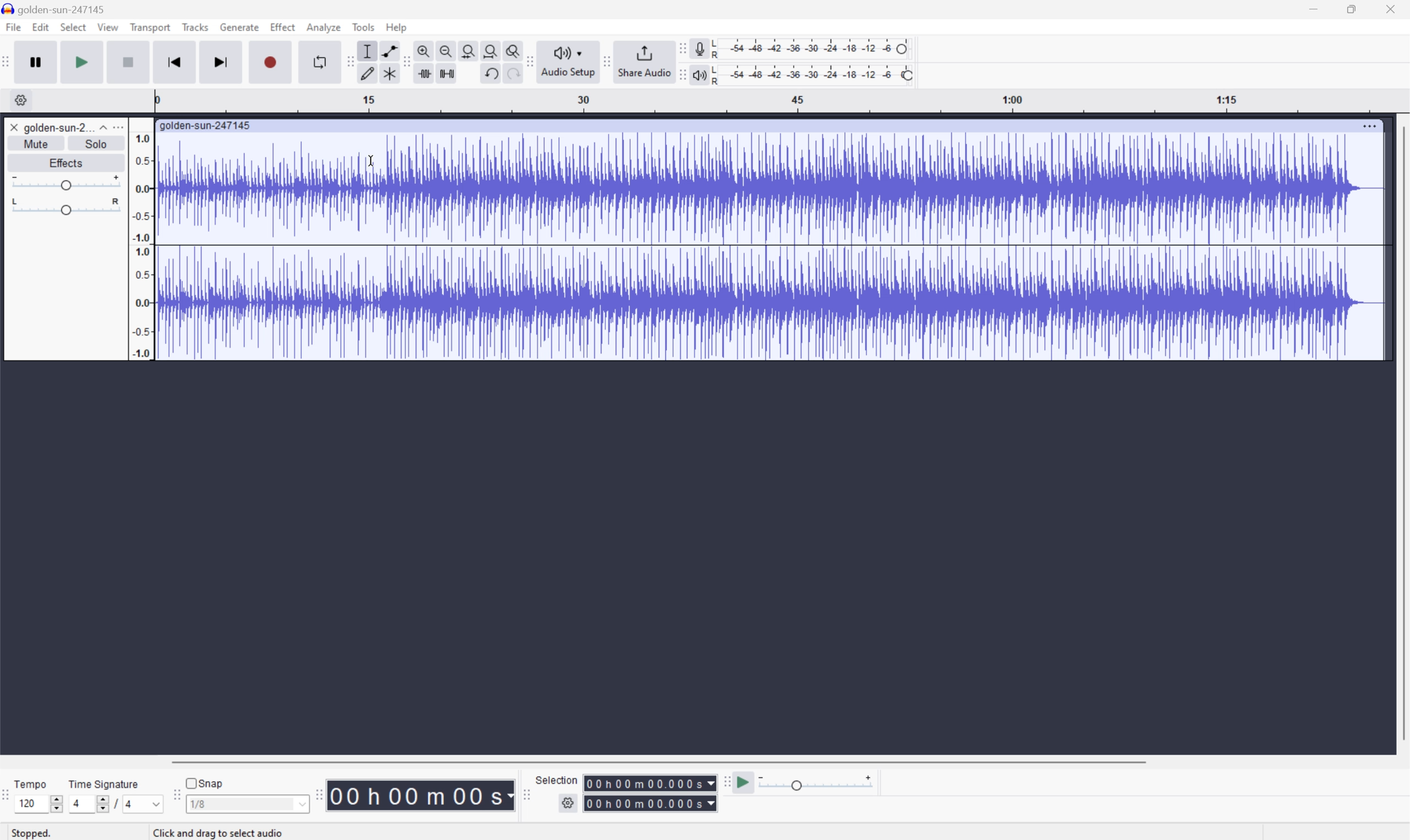 Image resolution: width=1410 pixels, height=840 pixels. What do you see at coordinates (681, 48) in the screenshot?
I see `Audacity recording meter toolbar` at bounding box center [681, 48].